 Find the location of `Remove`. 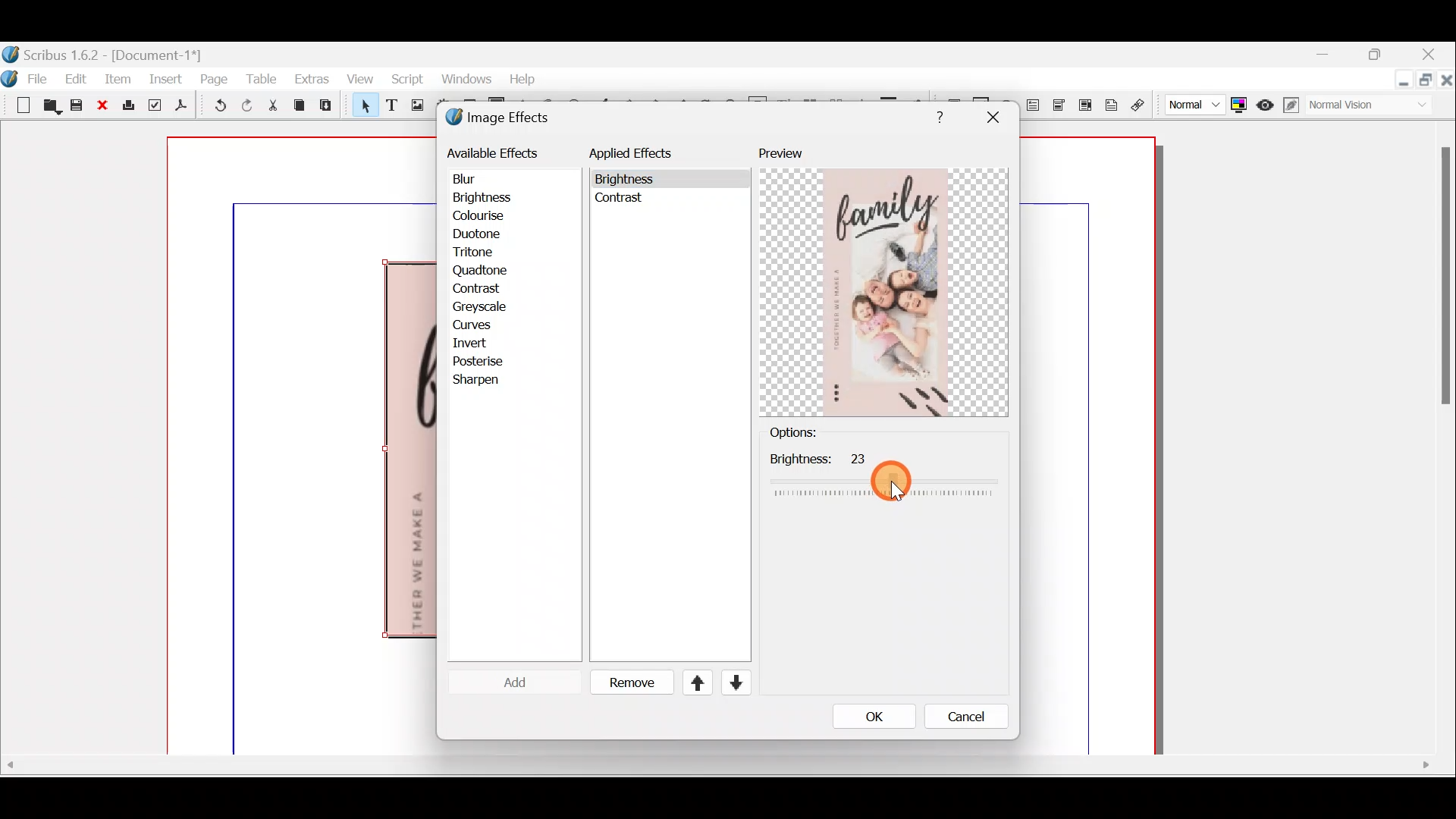

Remove is located at coordinates (626, 683).